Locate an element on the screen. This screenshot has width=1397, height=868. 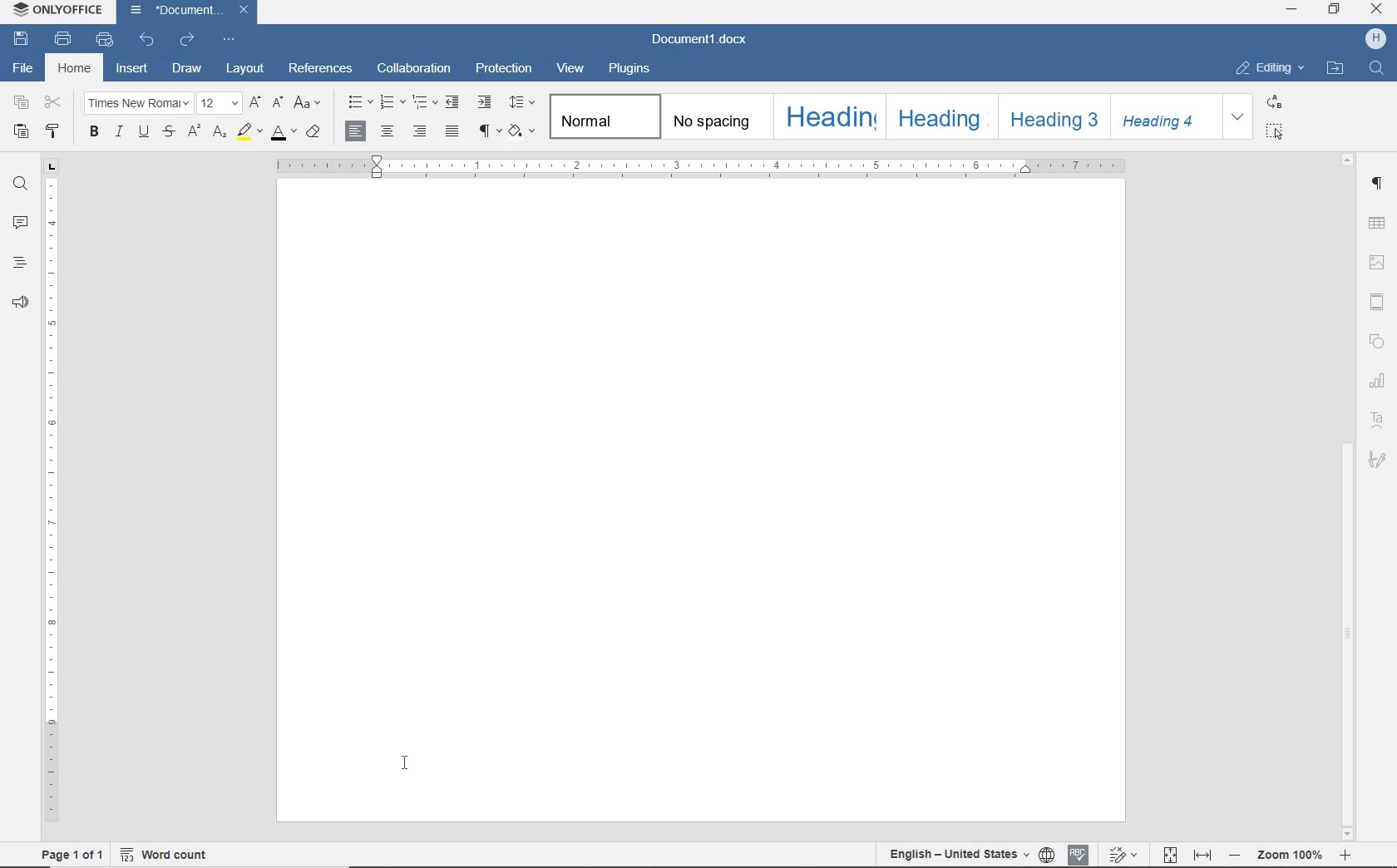
shape is located at coordinates (1379, 340).